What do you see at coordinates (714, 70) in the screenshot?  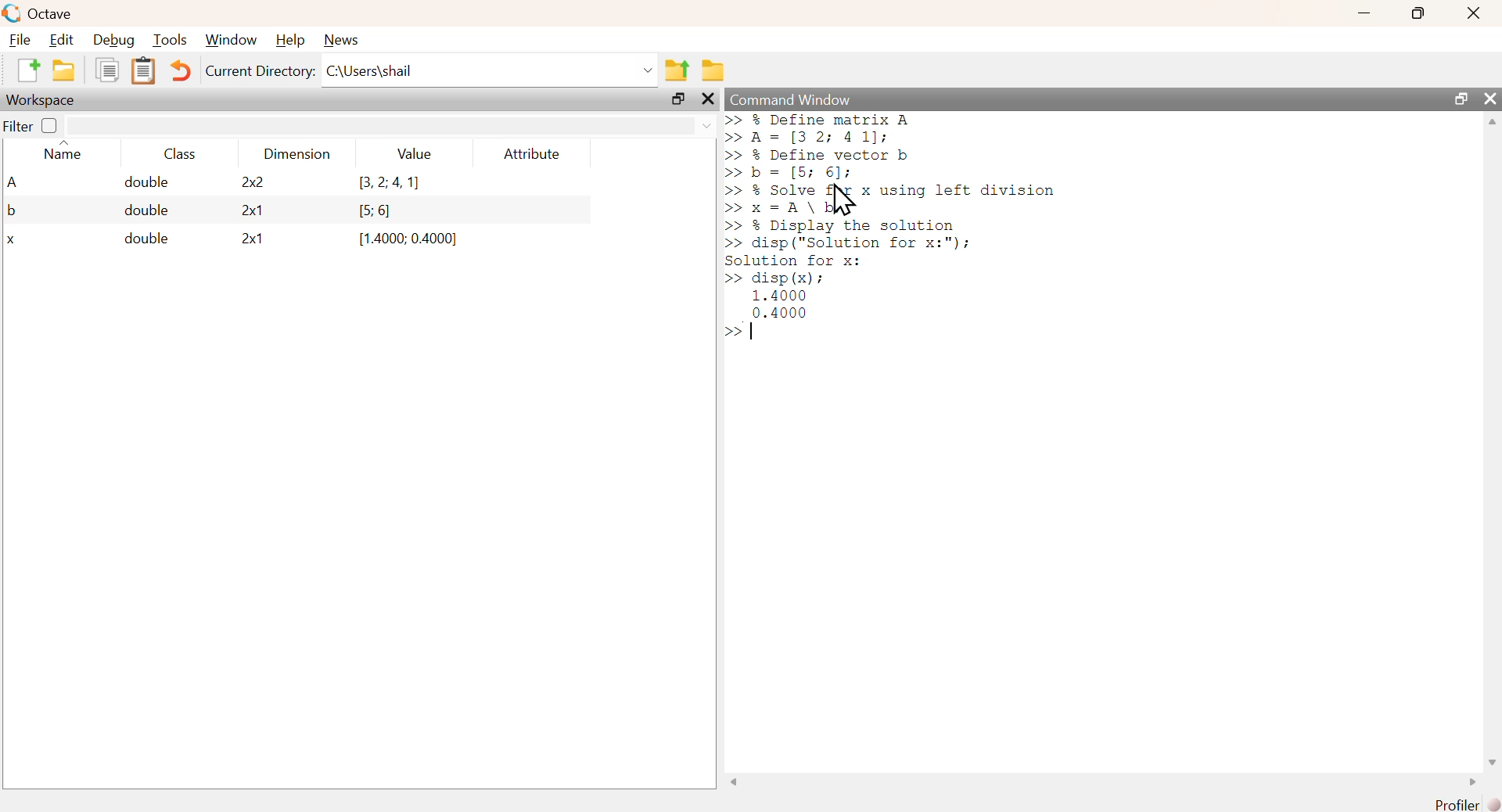 I see `browse directories` at bounding box center [714, 70].